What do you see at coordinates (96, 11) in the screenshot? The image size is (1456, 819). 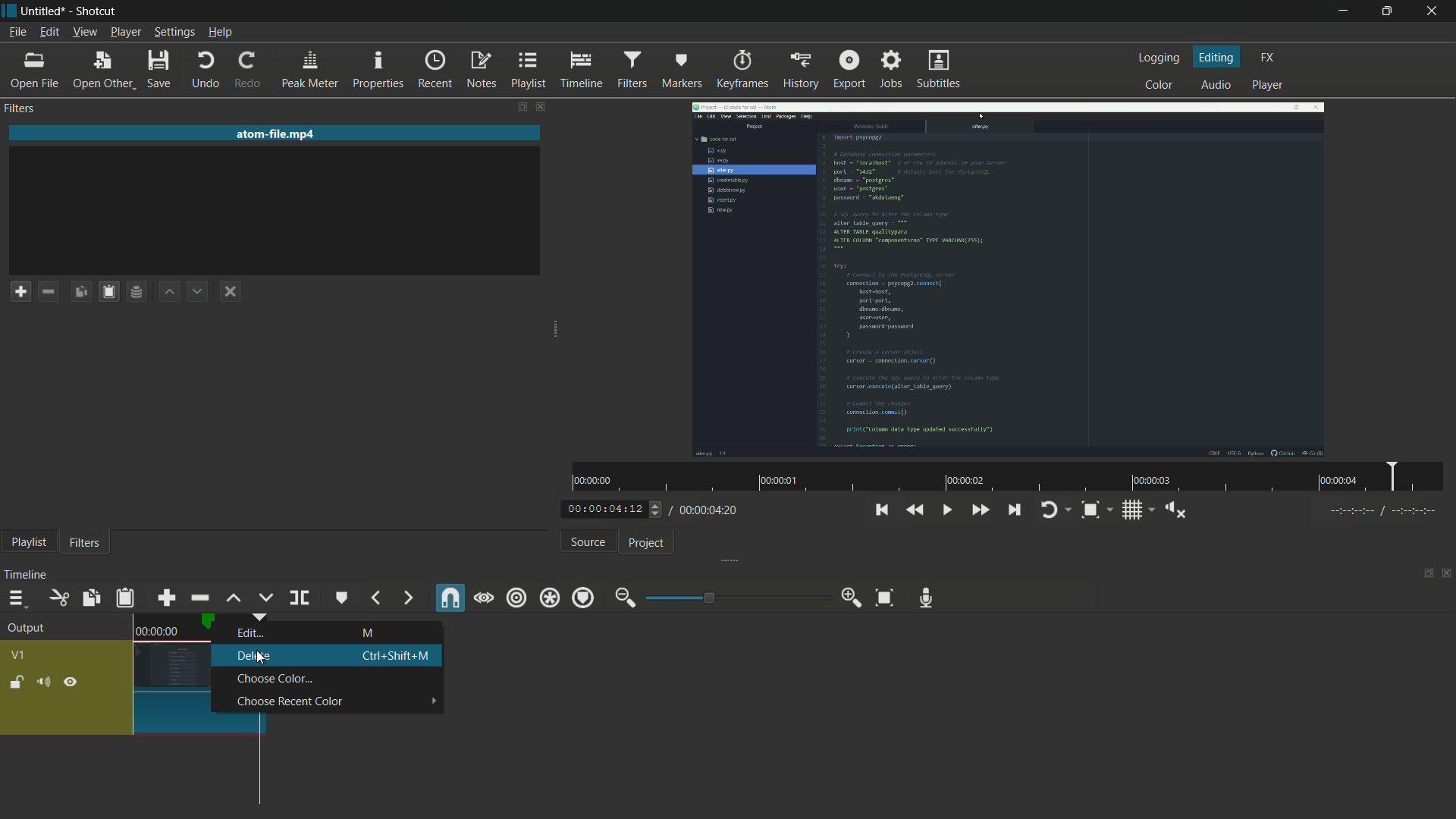 I see `app name` at bounding box center [96, 11].